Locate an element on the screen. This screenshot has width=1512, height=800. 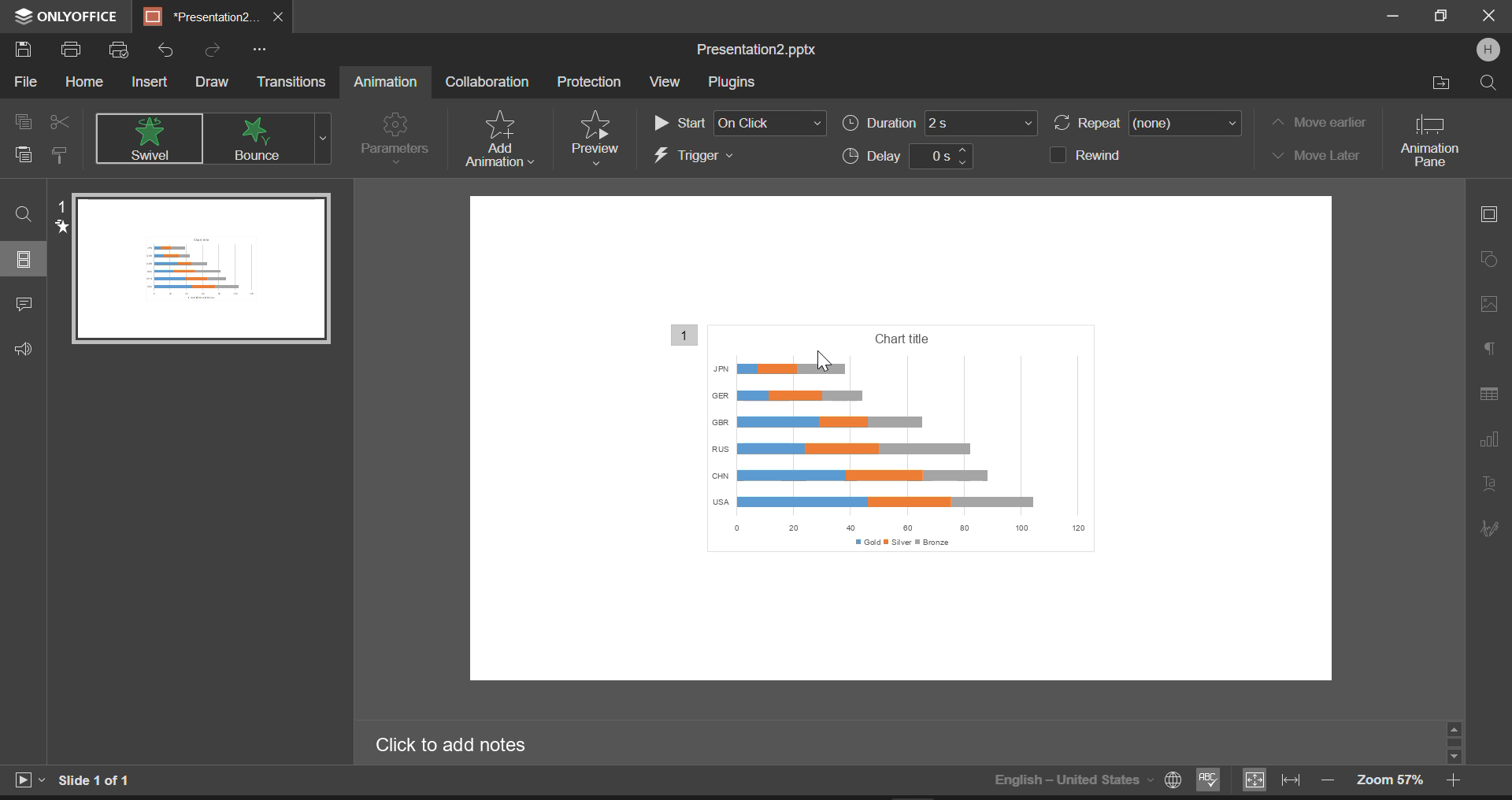
Signature Settings is located at coordinates (1488, 528).